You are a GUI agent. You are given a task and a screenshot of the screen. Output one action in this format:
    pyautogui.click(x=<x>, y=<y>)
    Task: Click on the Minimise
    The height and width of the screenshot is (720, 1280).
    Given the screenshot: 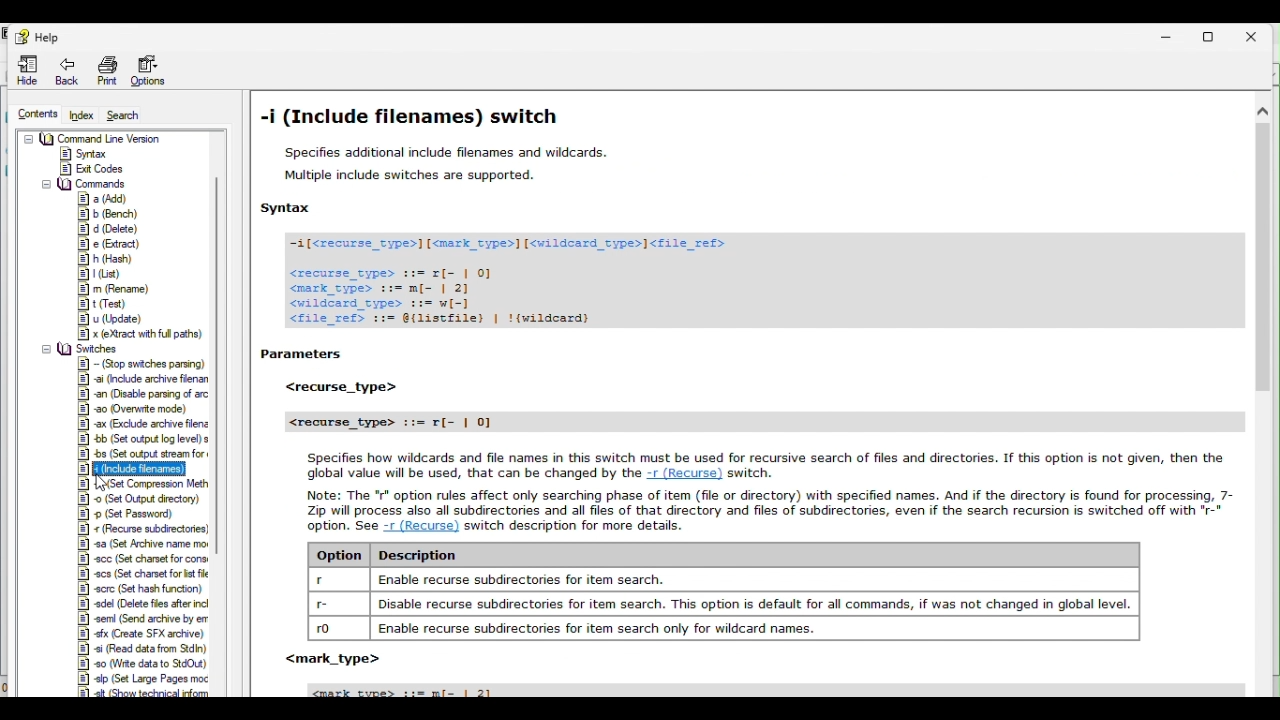 What is the action you would take?
    pyautogui.click(x=1168, y=37)
    